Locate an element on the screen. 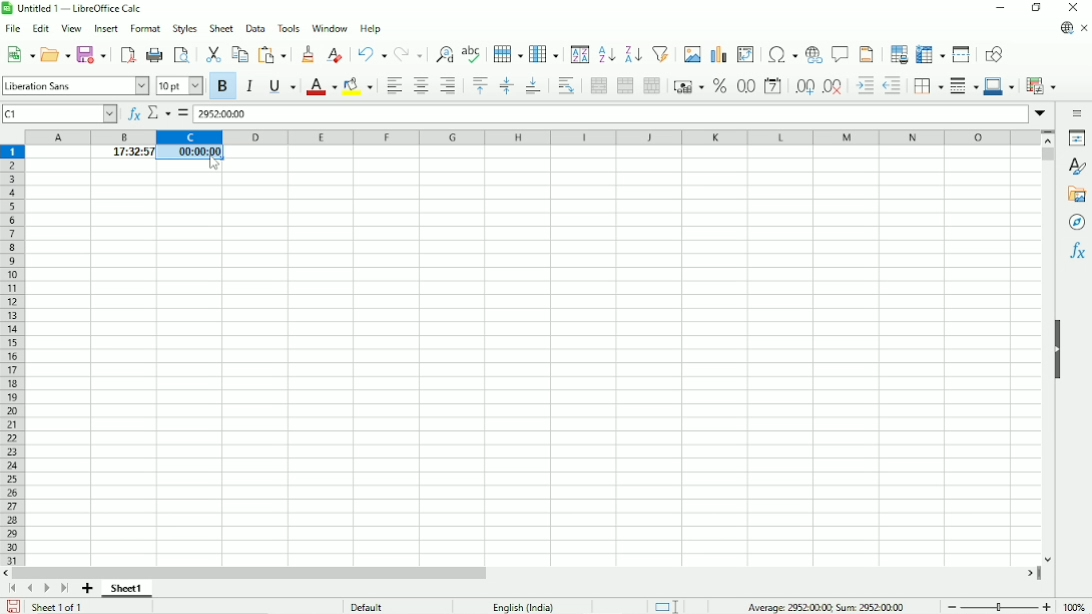 The image size is (1092, 614). Toggle print preview is located at coordinates (183, 55).